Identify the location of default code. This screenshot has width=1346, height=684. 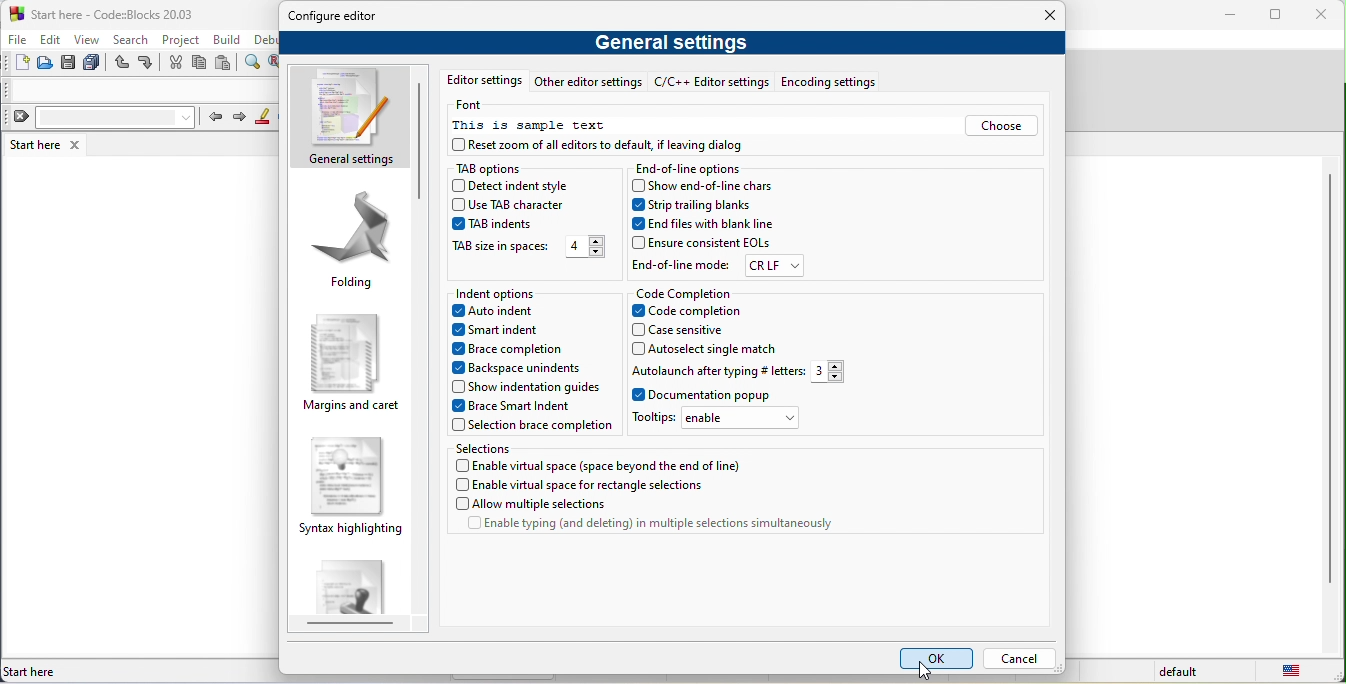
(352, 590).